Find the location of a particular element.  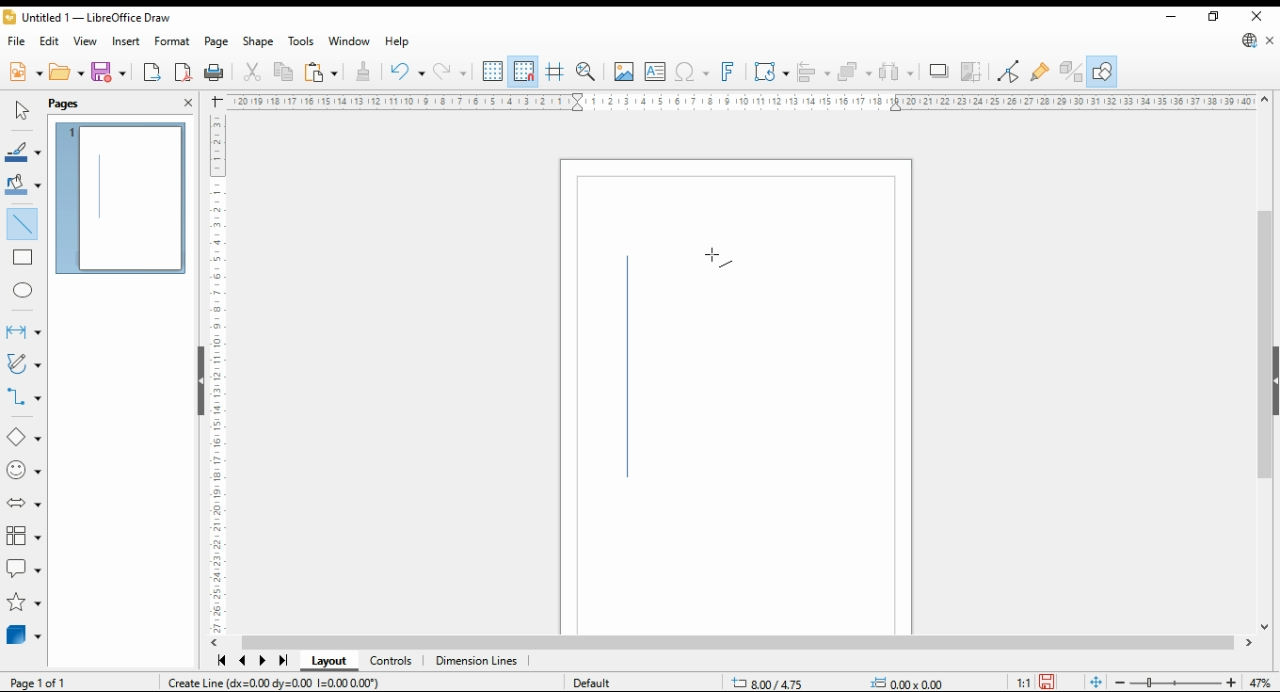

controls is located at coordinates (393, 663).